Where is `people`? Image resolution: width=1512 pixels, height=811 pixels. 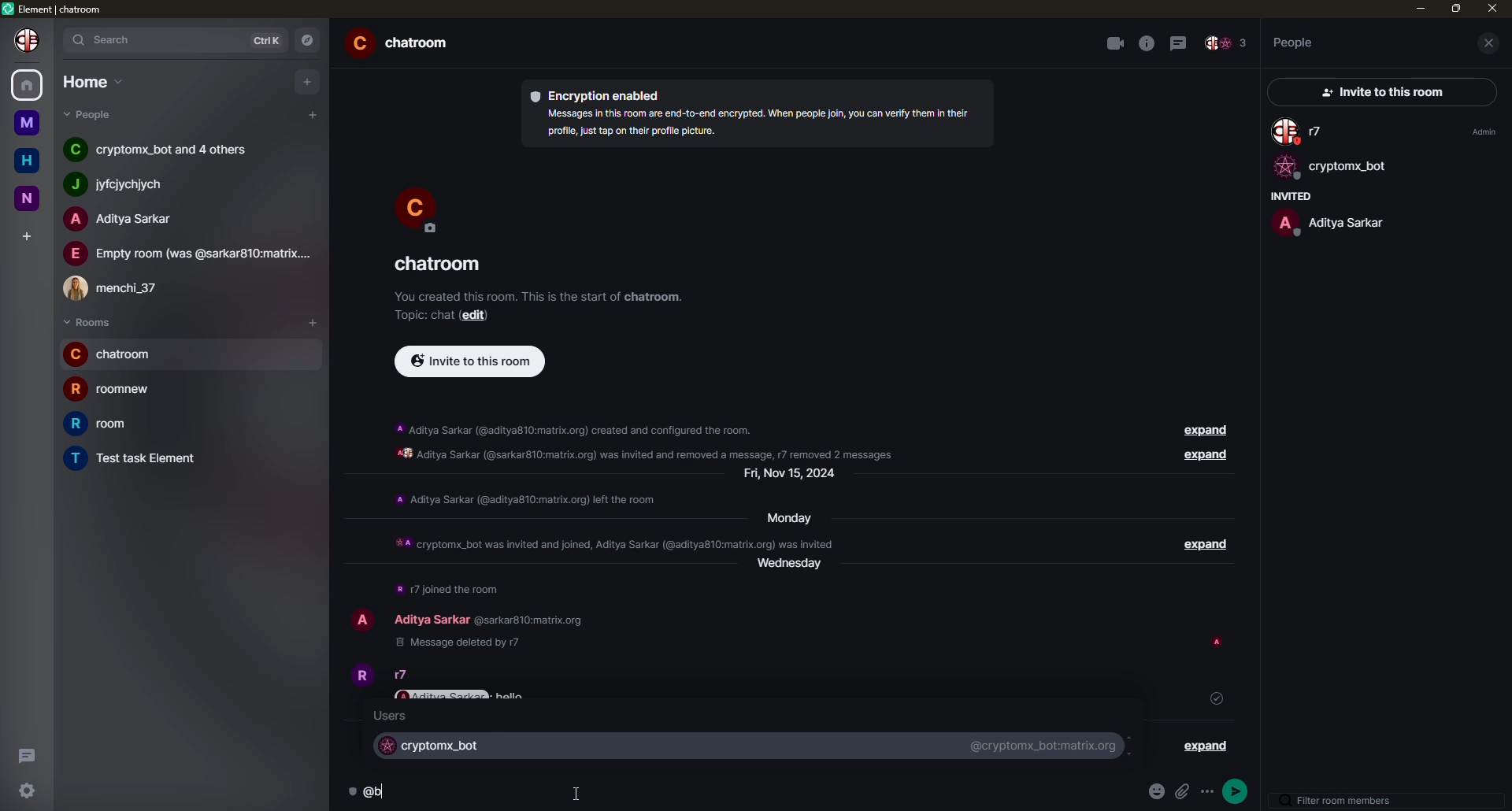 people is located at coordinates (120, 285).